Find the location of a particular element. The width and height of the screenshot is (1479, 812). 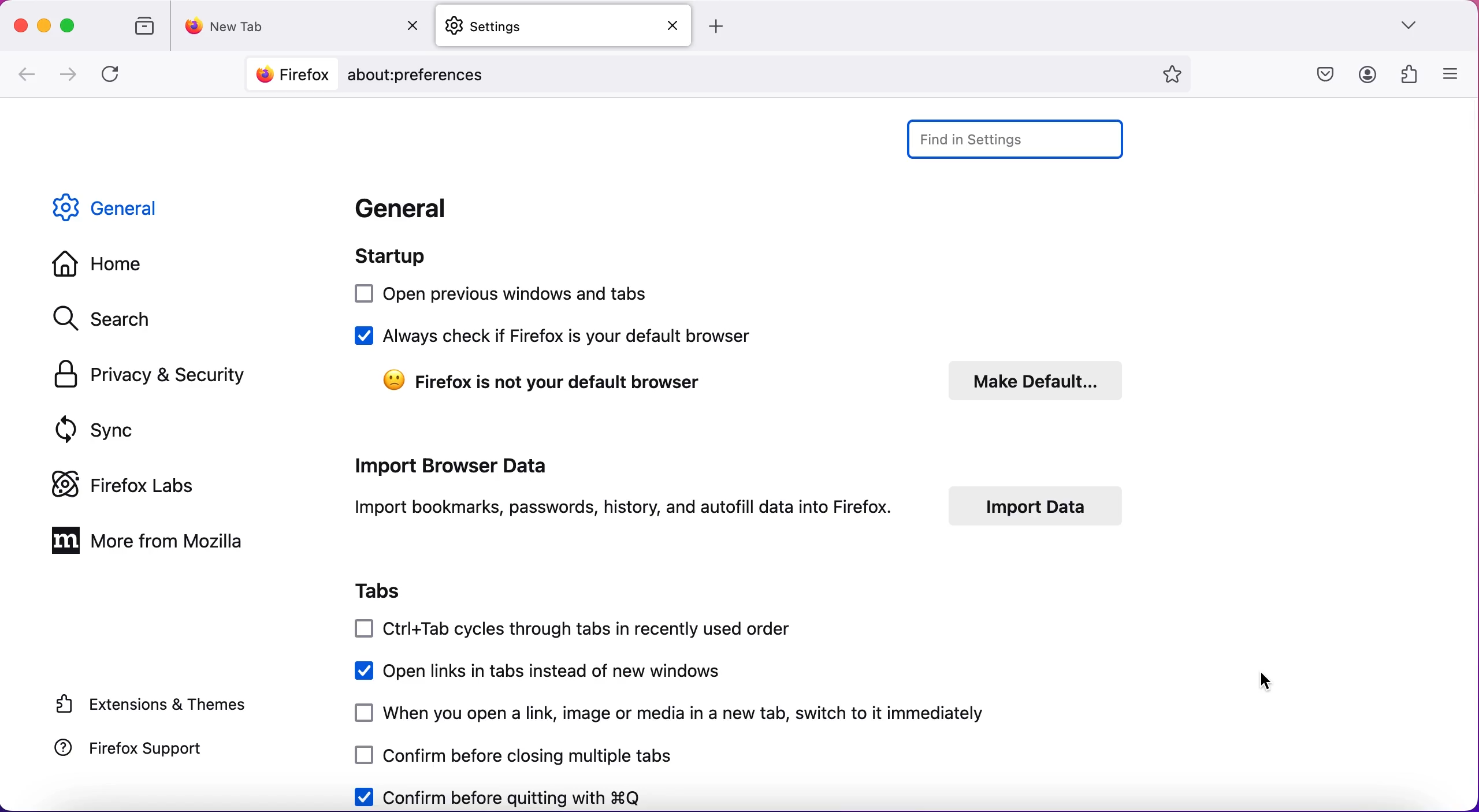

tabs is located at coordinates (382, 586).